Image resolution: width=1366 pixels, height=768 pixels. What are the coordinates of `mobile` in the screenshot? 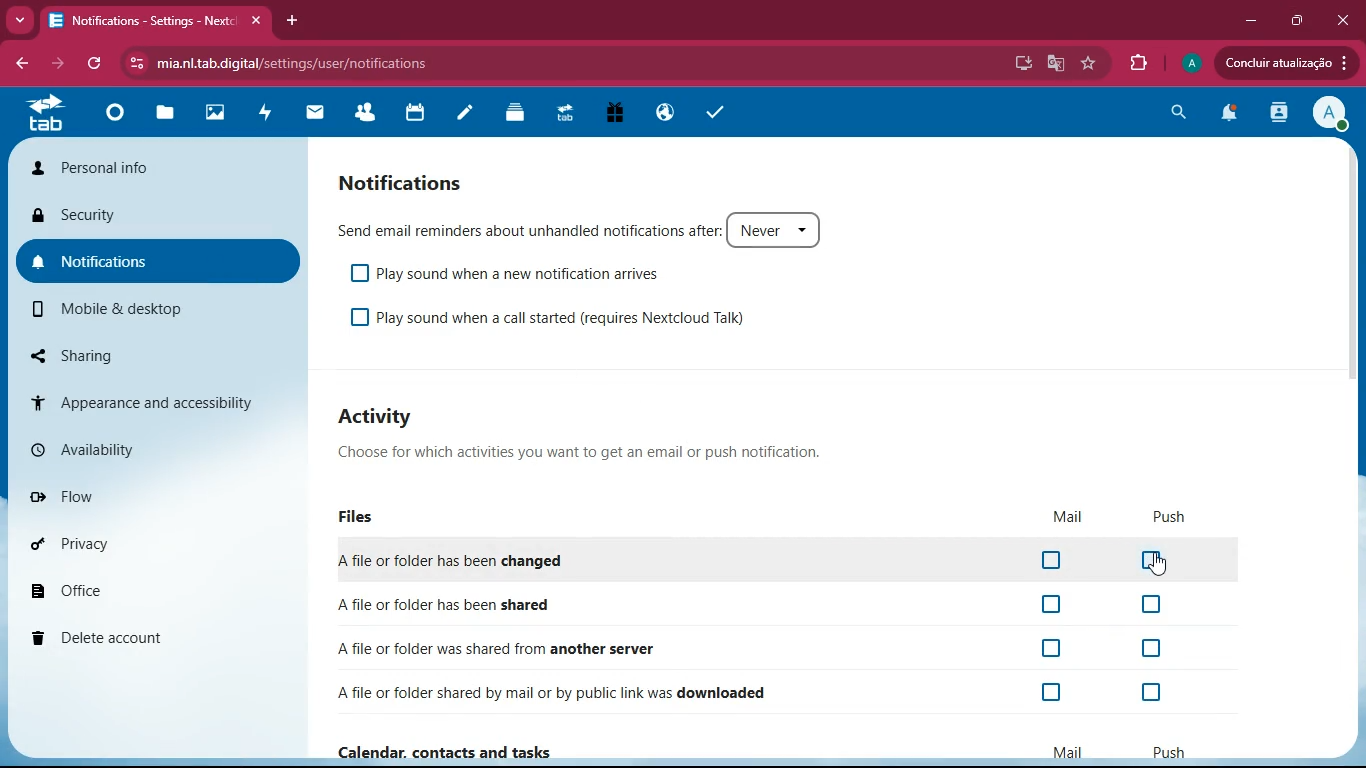 It's located at (125, 308).